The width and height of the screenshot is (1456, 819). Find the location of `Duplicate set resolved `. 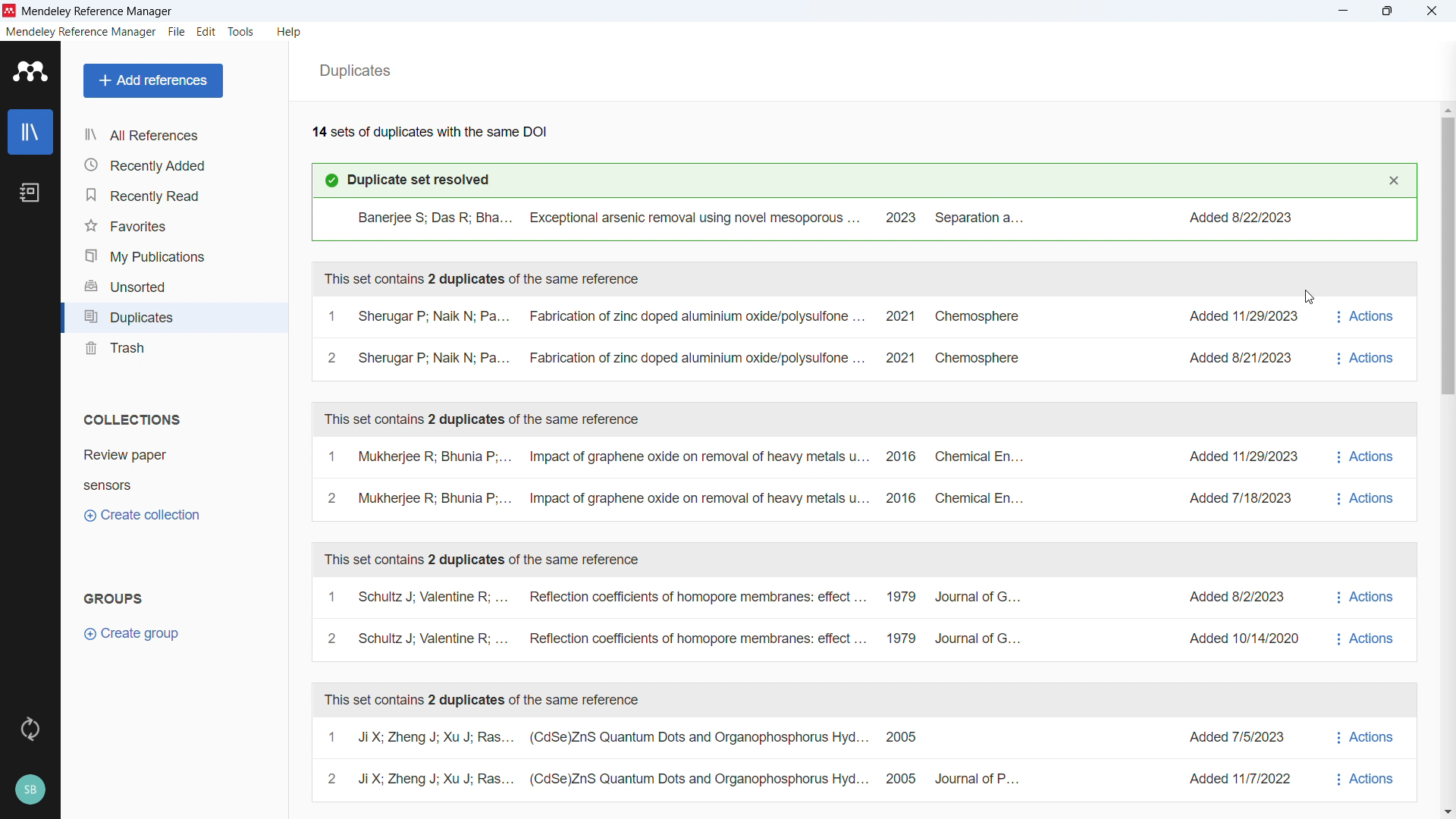

Duplicate set resolved  is located at coordinates (405, 180).